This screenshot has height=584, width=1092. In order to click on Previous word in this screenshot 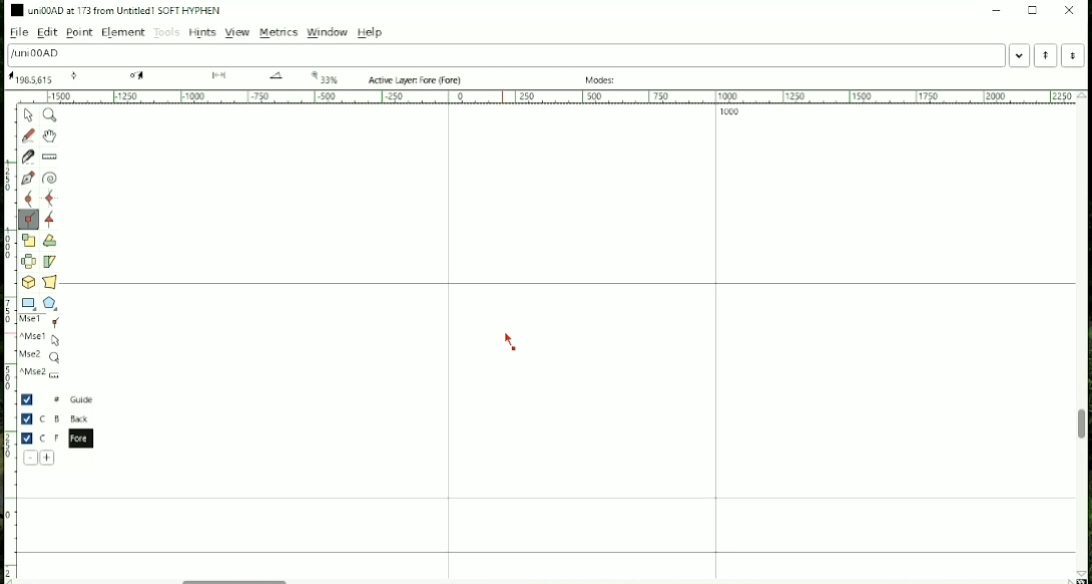, I will do `click(1045, 55)`.